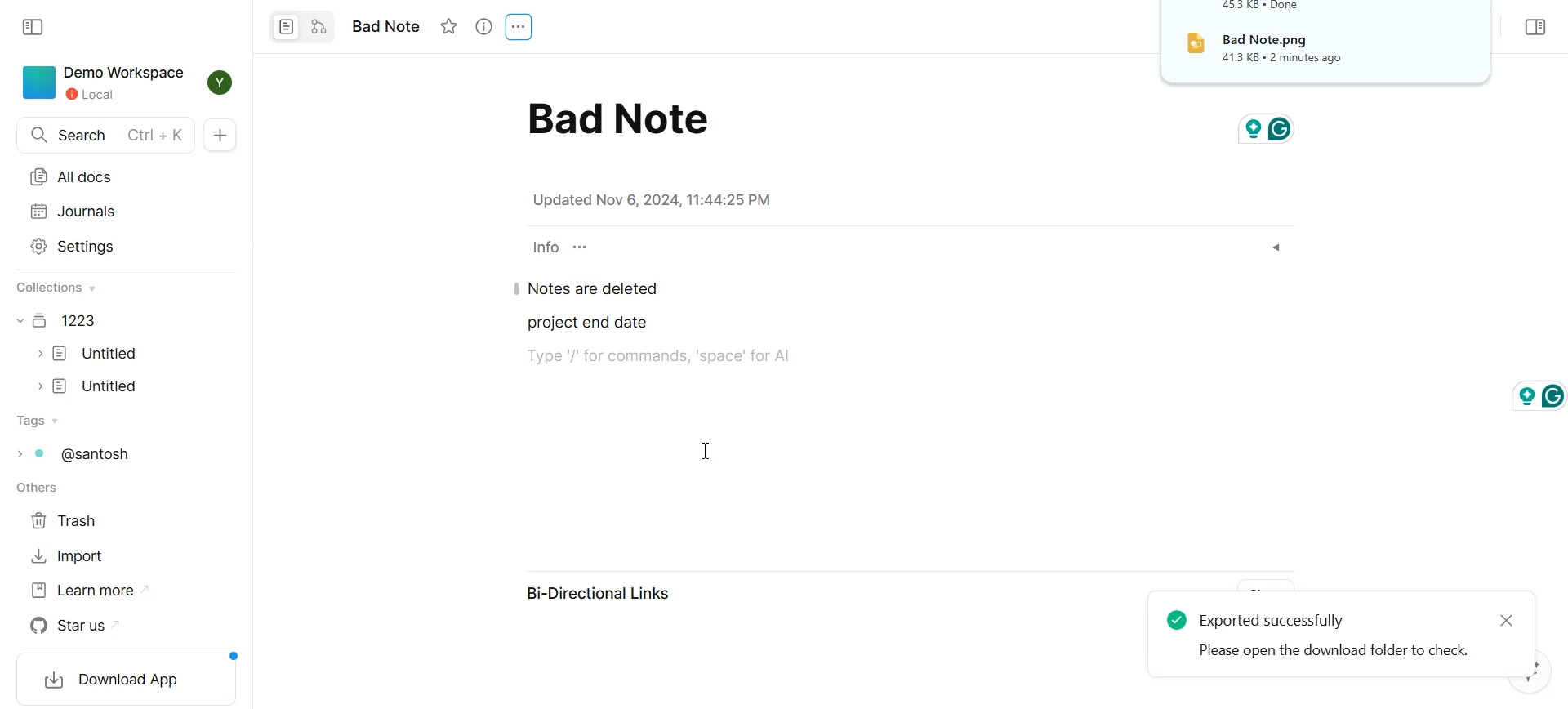  Describe the element at coordinates (592, 591) in the screenshot. I see `Bi-Directional Links` at that location.